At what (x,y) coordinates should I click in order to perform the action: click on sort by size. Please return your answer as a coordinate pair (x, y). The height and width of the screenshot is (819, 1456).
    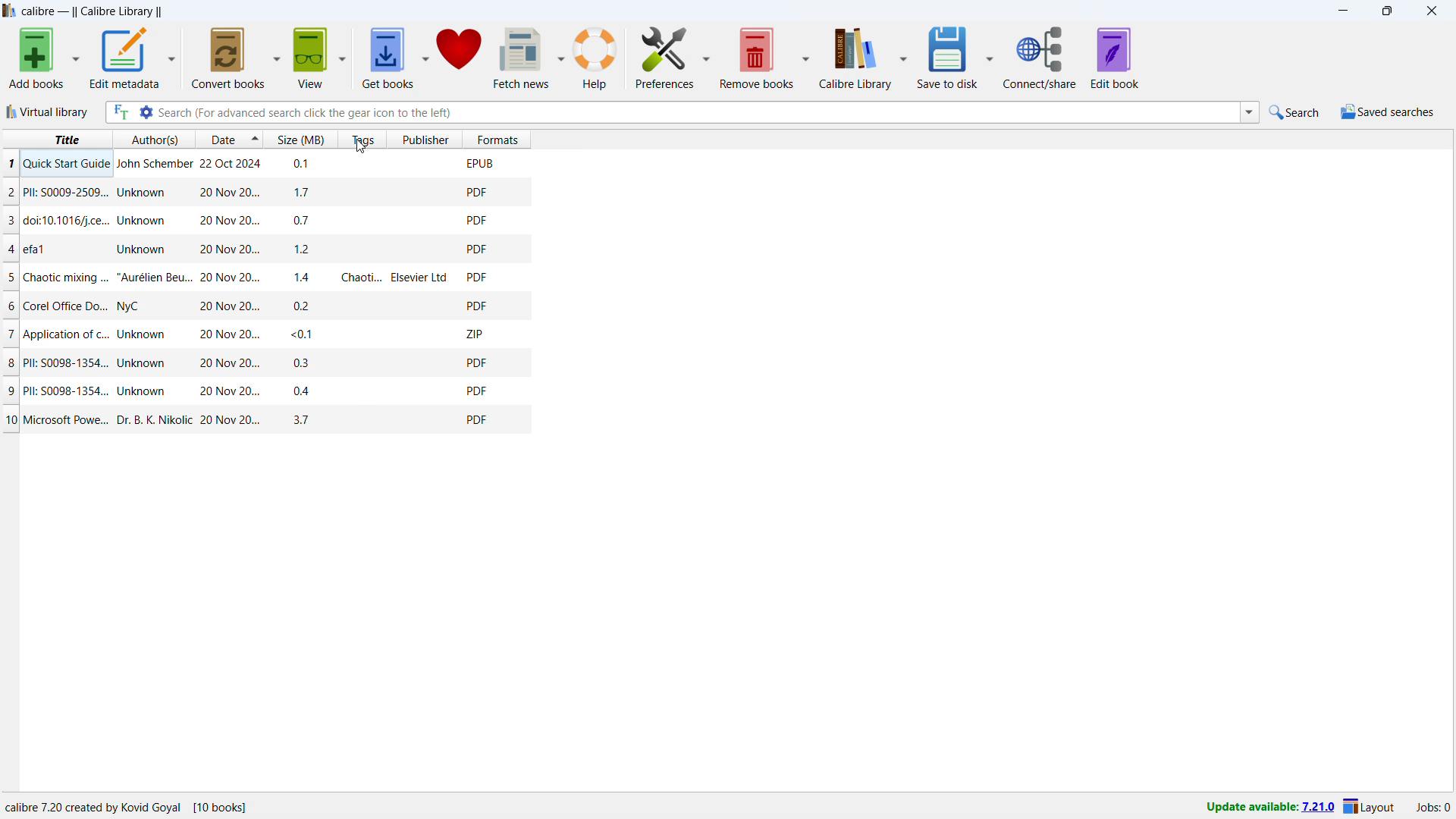
    Looking at the image, I should click on (302, 139).